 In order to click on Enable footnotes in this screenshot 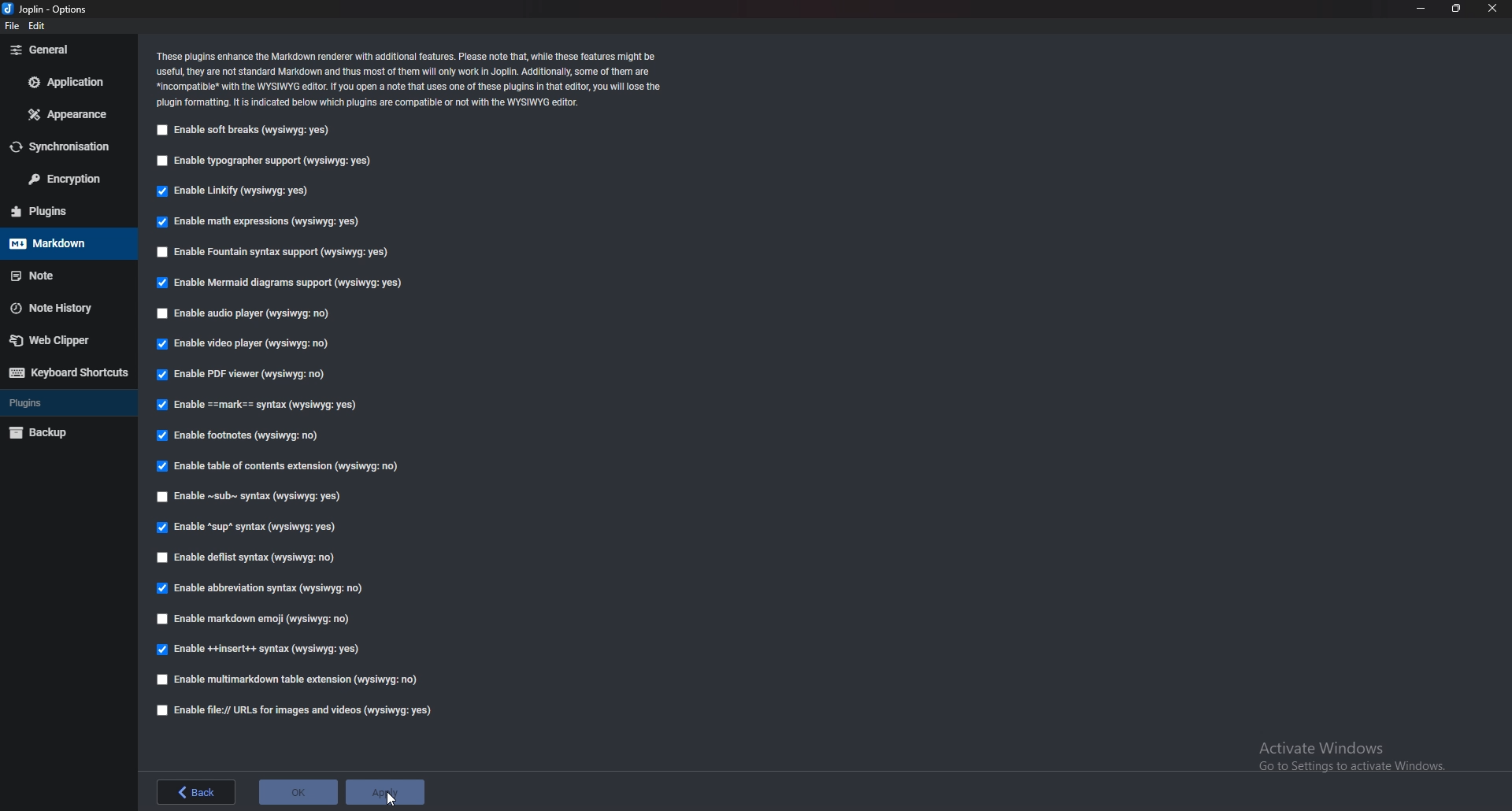, I will do `click(239, 438)`.